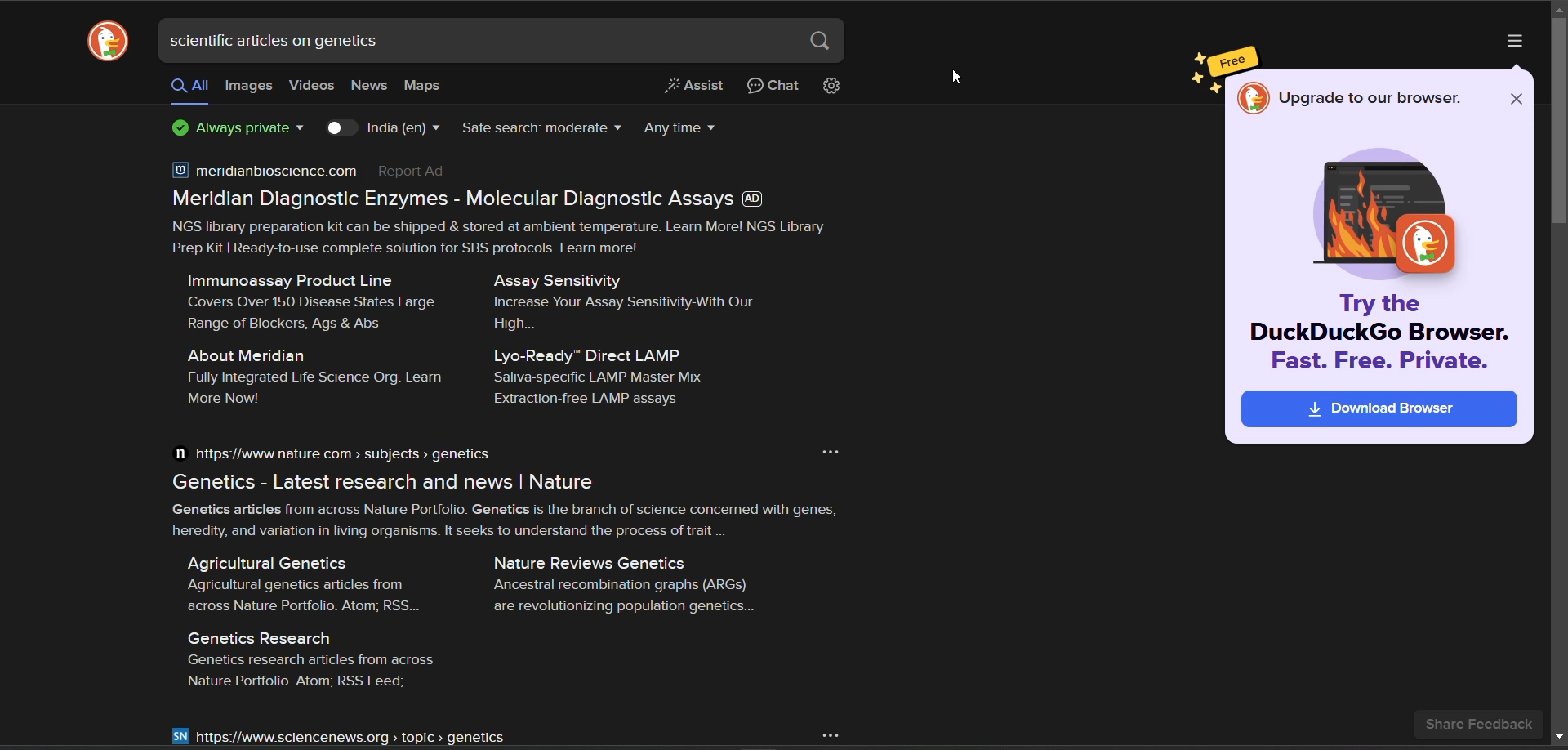  Describe the element at coordinates (497, 488) in the screenshot. I see `Nn https://www.nature.com > subjects > genetics se
Genetics - Latest research and news | Nature

Genetics articles from across Nature Portfolio. Genetics is the branch of science concerned with genes,
heredity, and variation in living organisms. It seeks to understand the process of trait` at that location.